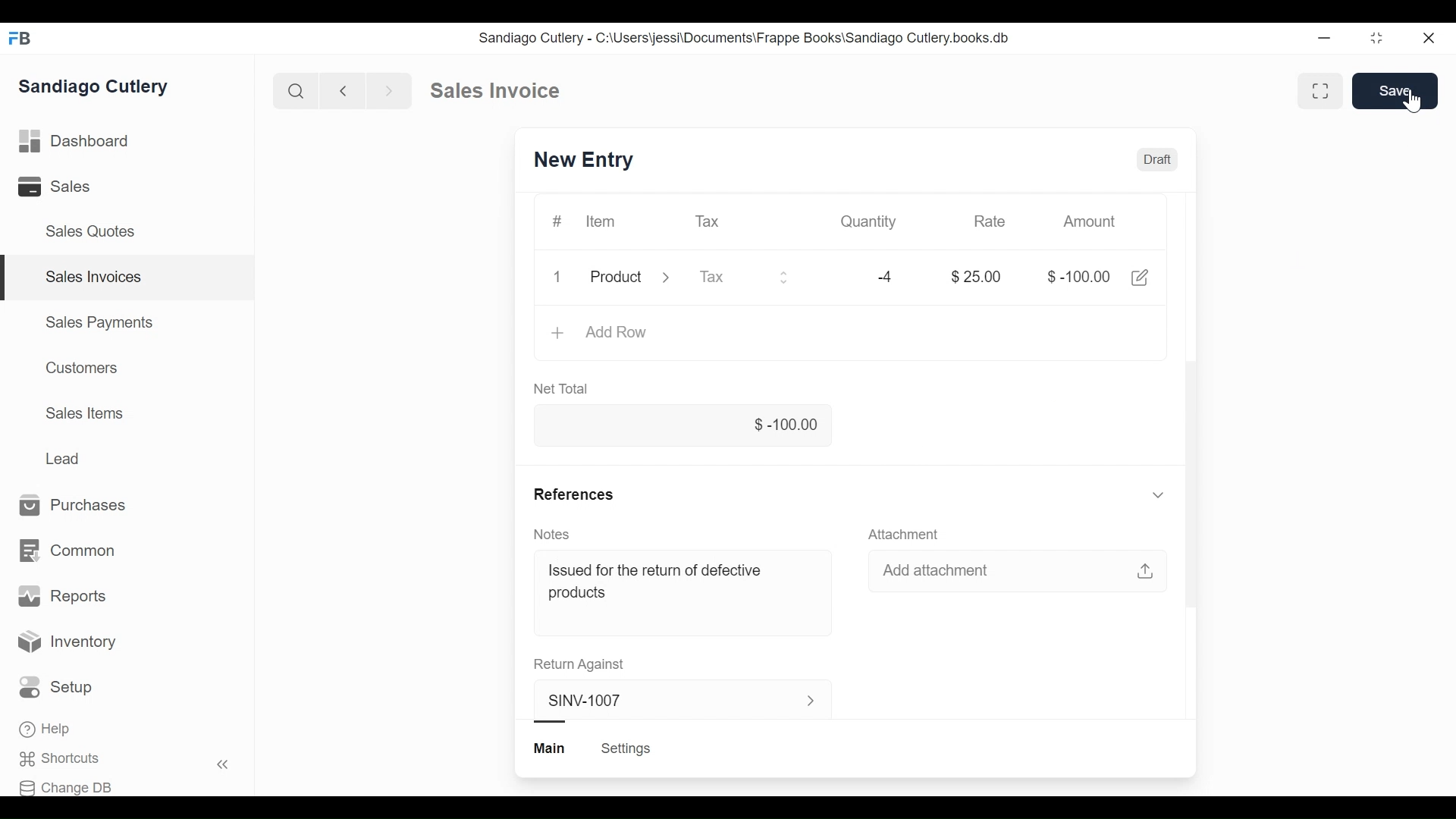  I want to click on 1, so click(555, 275).